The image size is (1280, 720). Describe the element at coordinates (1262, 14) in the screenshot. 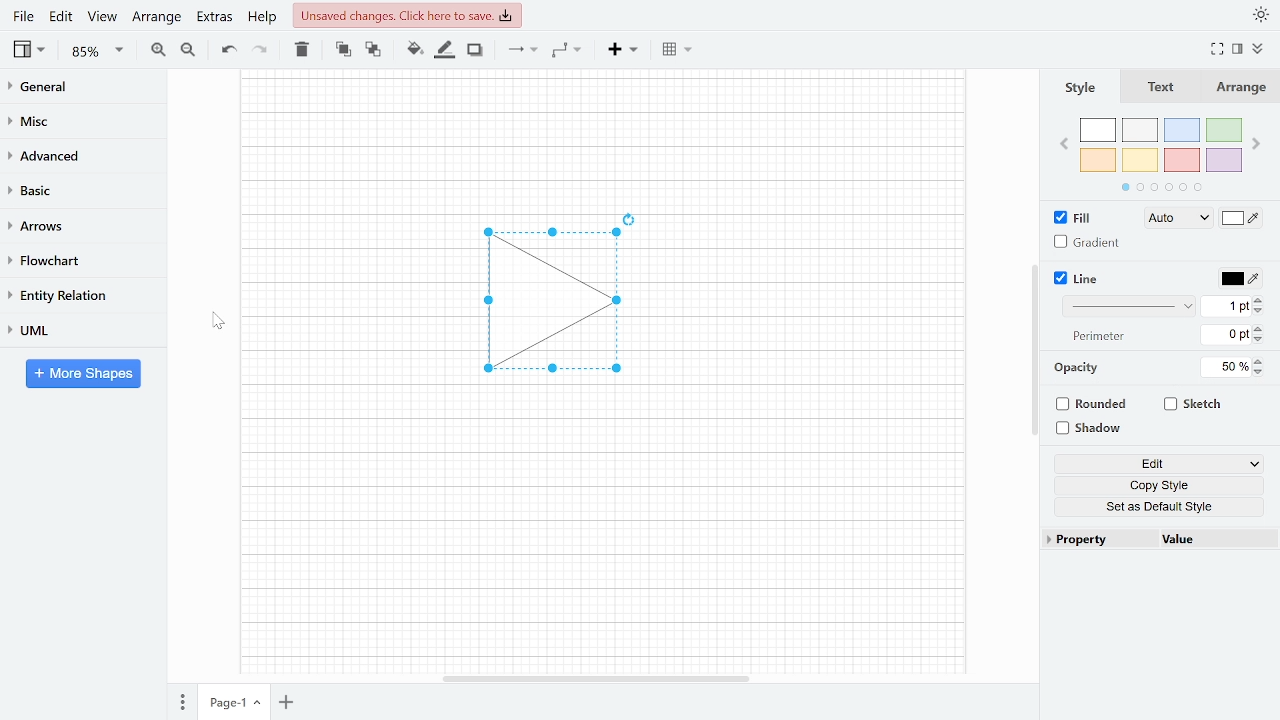

I see `Theme` at that location.